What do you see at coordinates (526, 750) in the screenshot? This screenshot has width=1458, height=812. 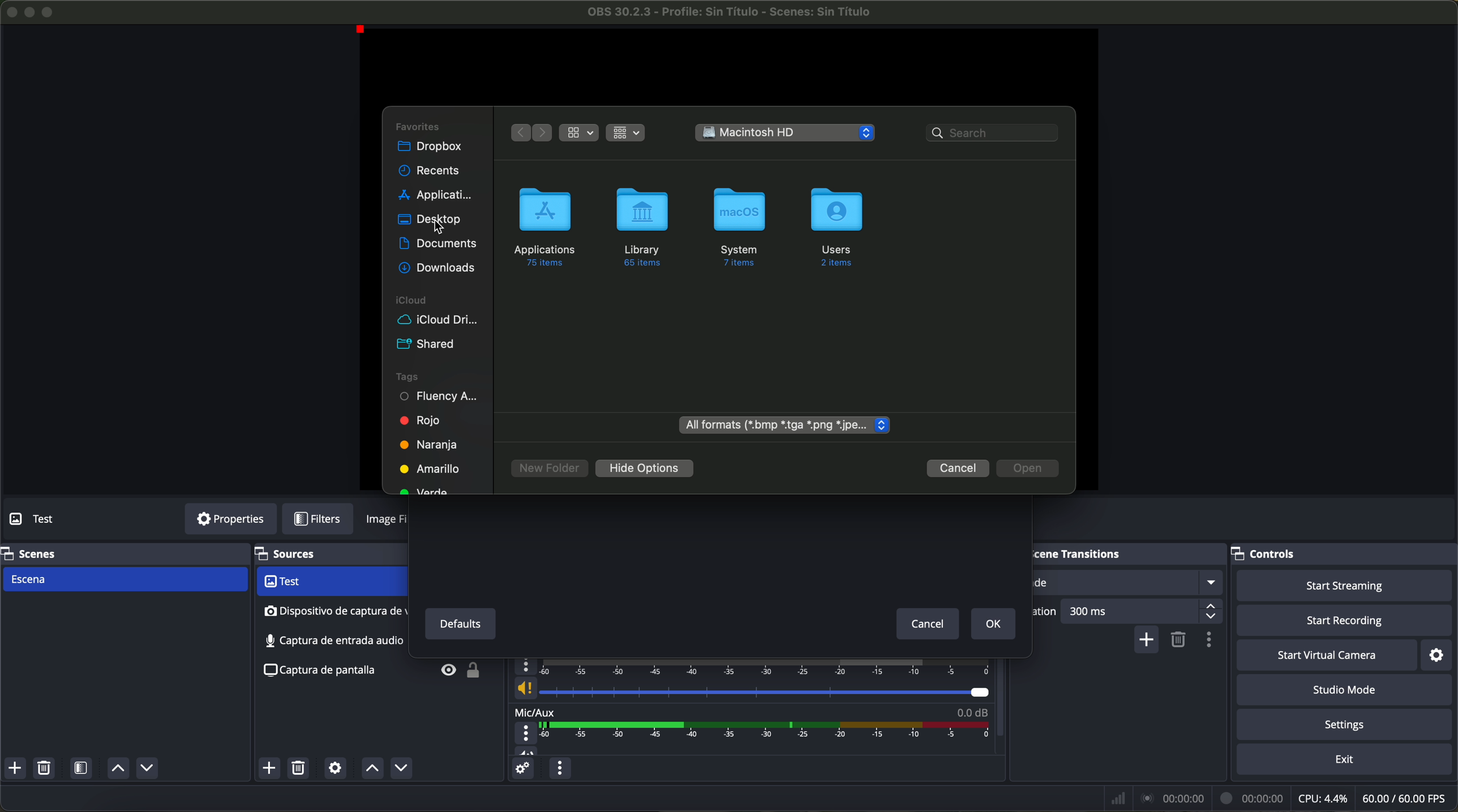 I see `vol` at bounding box center [526, 750].